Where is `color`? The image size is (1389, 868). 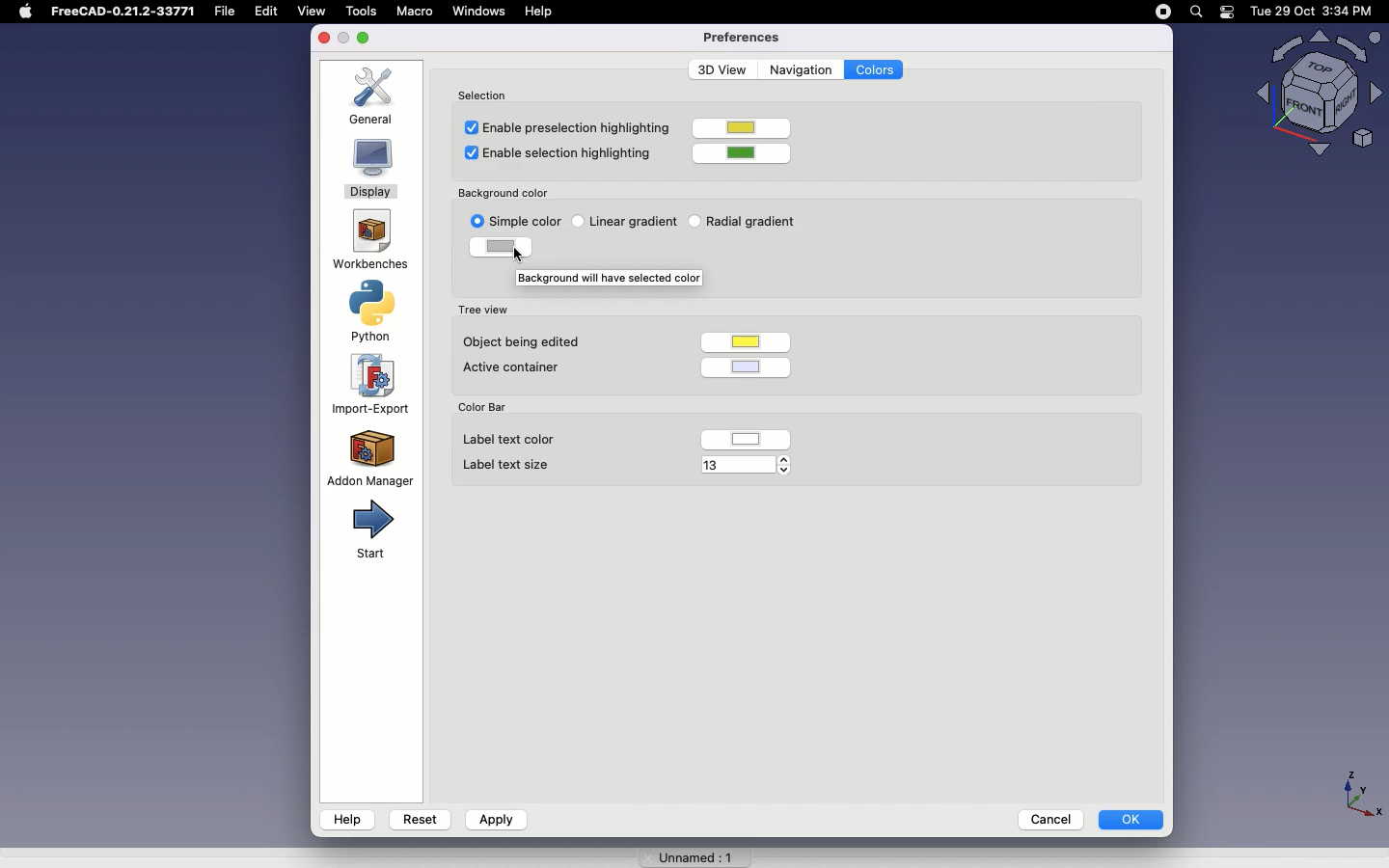
color is located at coordinates (750, 339).